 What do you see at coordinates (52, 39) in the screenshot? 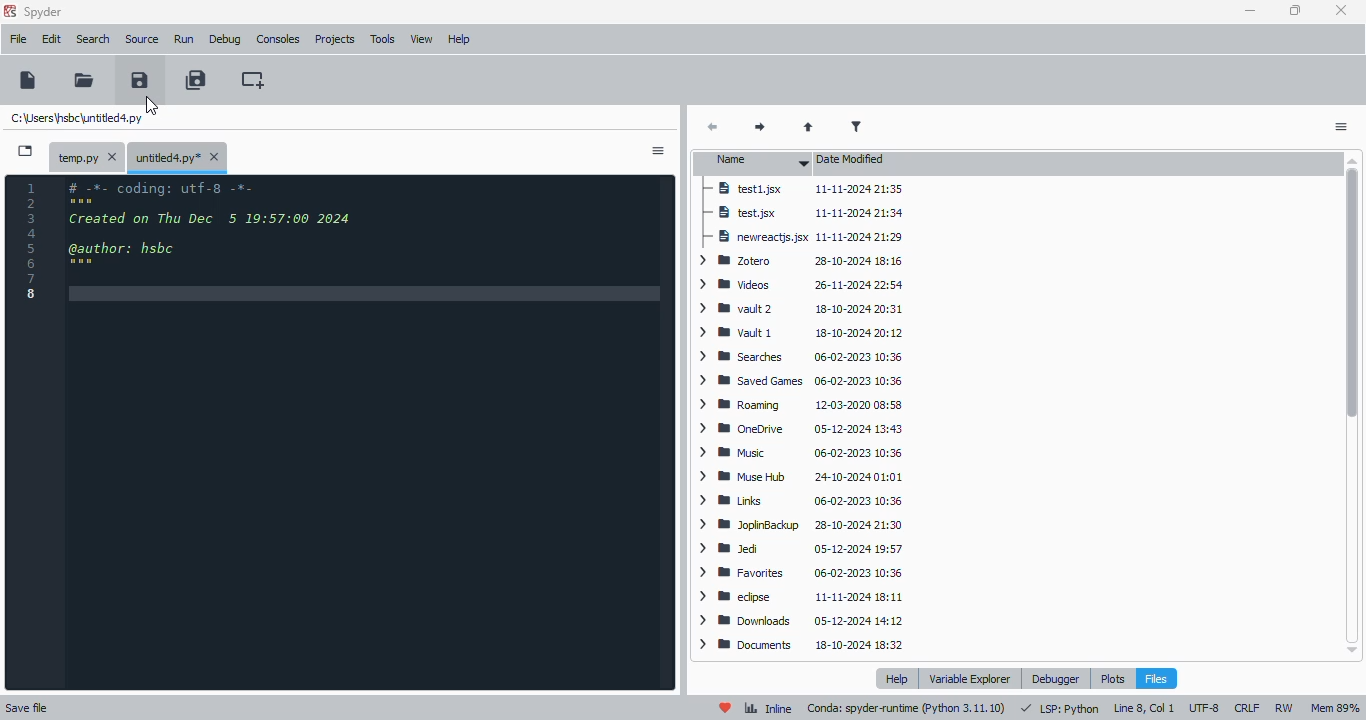
I see `edit` at bounding box center [52, 39].